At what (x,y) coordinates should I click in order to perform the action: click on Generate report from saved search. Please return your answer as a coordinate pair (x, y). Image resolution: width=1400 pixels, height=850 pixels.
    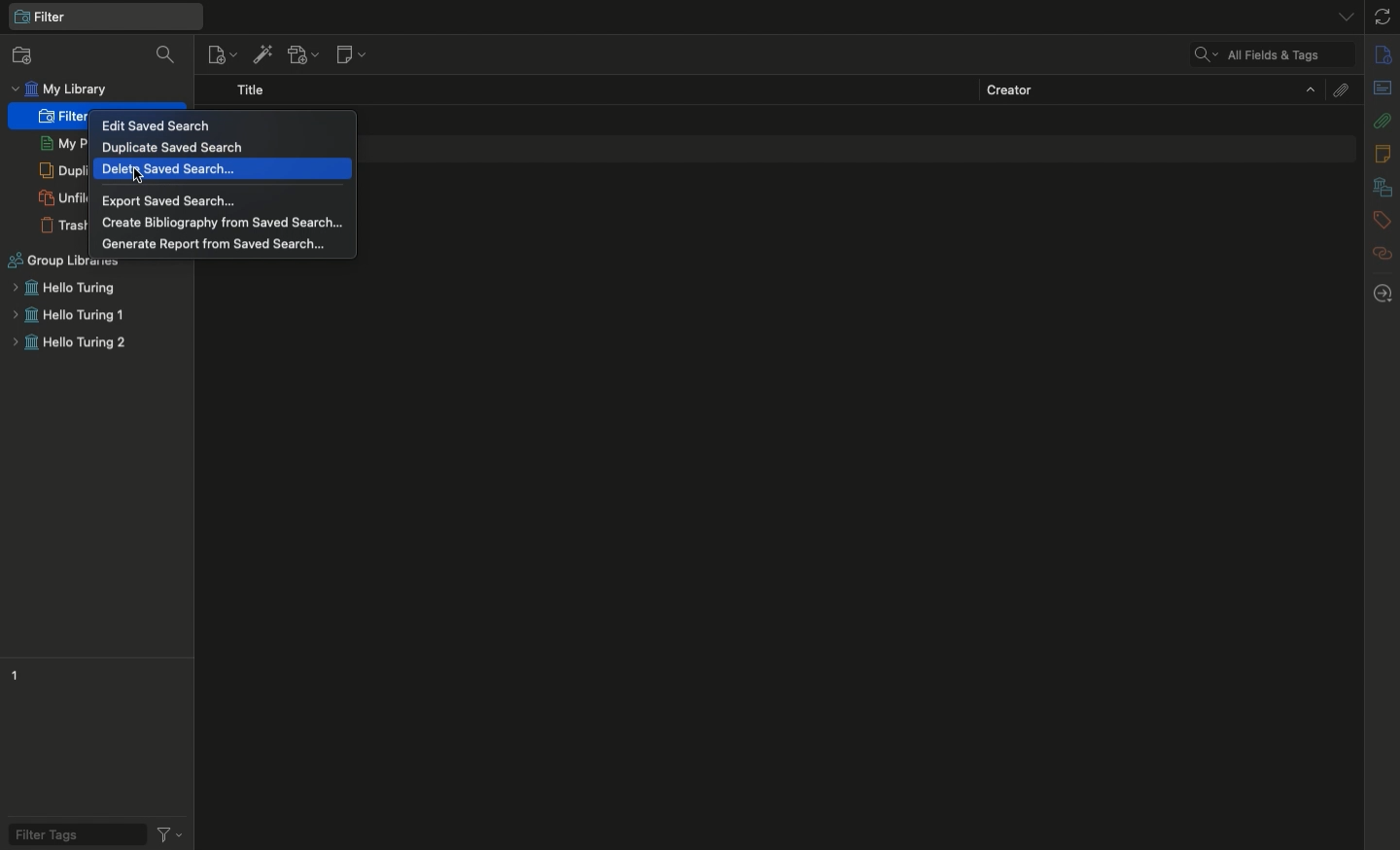
    Looking at the image, I should click on (218, 245).